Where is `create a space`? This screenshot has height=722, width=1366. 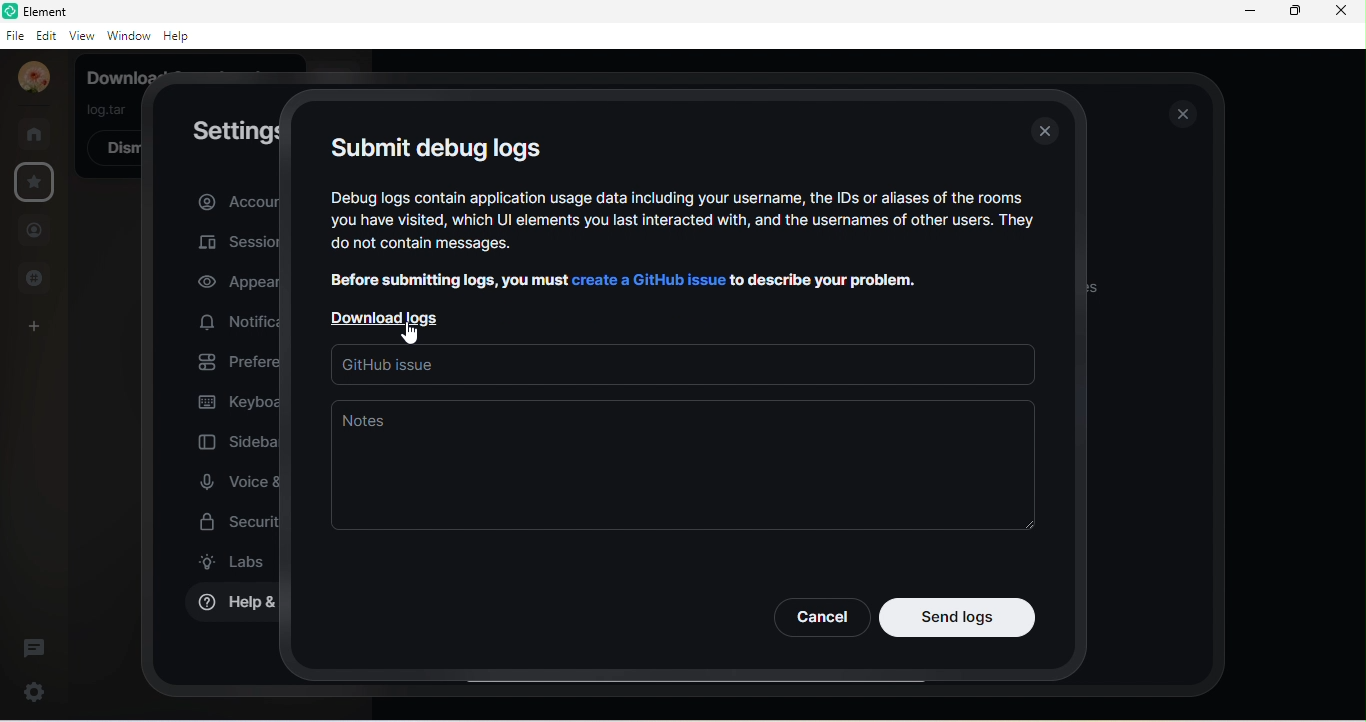
create a space is located at coordinates (42, 324).